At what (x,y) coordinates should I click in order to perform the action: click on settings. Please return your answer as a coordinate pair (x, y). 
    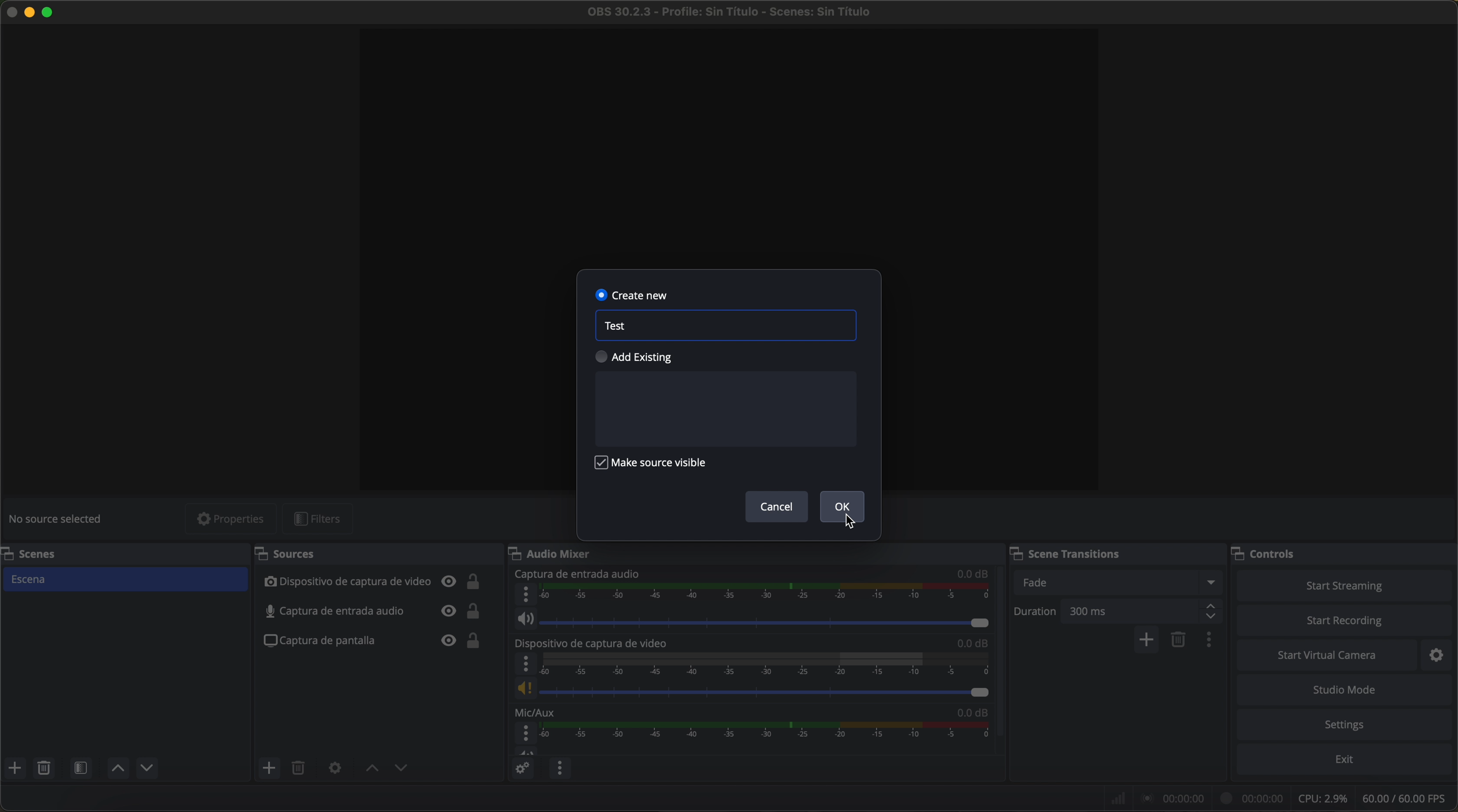
    Looking at the image, I should click on (1442, 654).